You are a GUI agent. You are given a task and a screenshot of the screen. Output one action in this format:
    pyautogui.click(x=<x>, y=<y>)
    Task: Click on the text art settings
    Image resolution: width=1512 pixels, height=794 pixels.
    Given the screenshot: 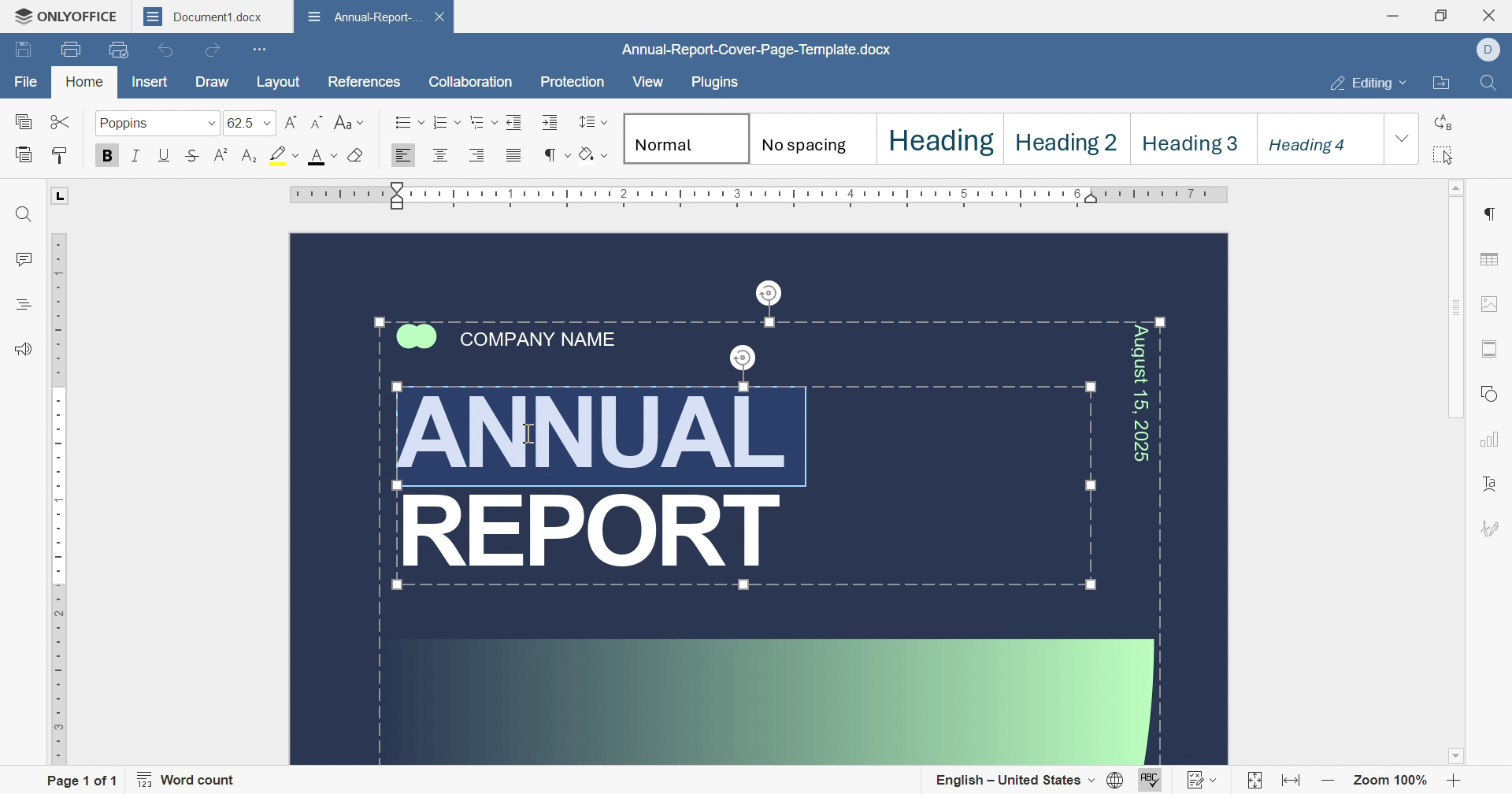 What is the action you would take?
    pyautogui.click(x=1492, y=486)
    